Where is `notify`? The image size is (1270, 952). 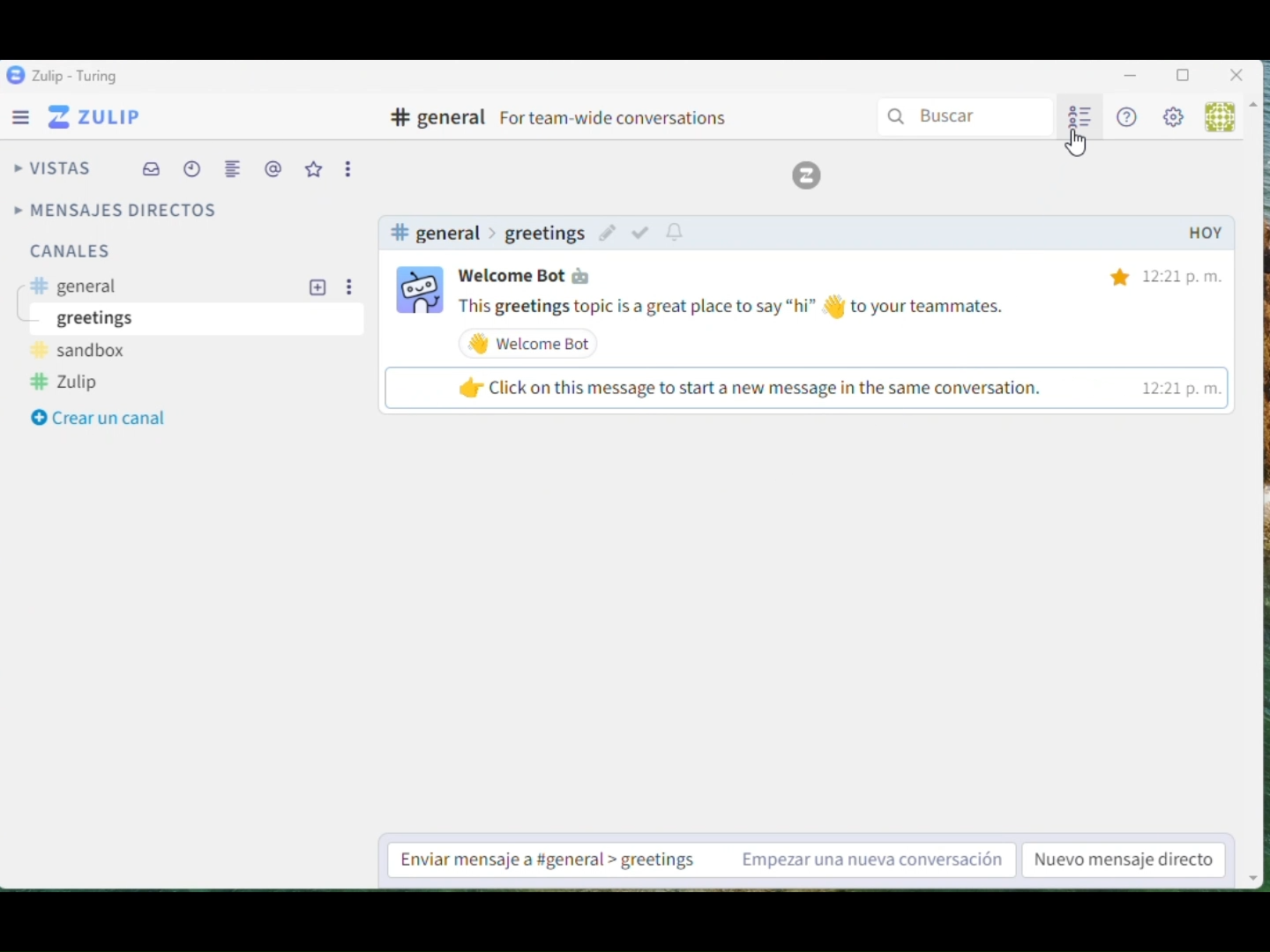
notify is located at coordinates (678, 229).